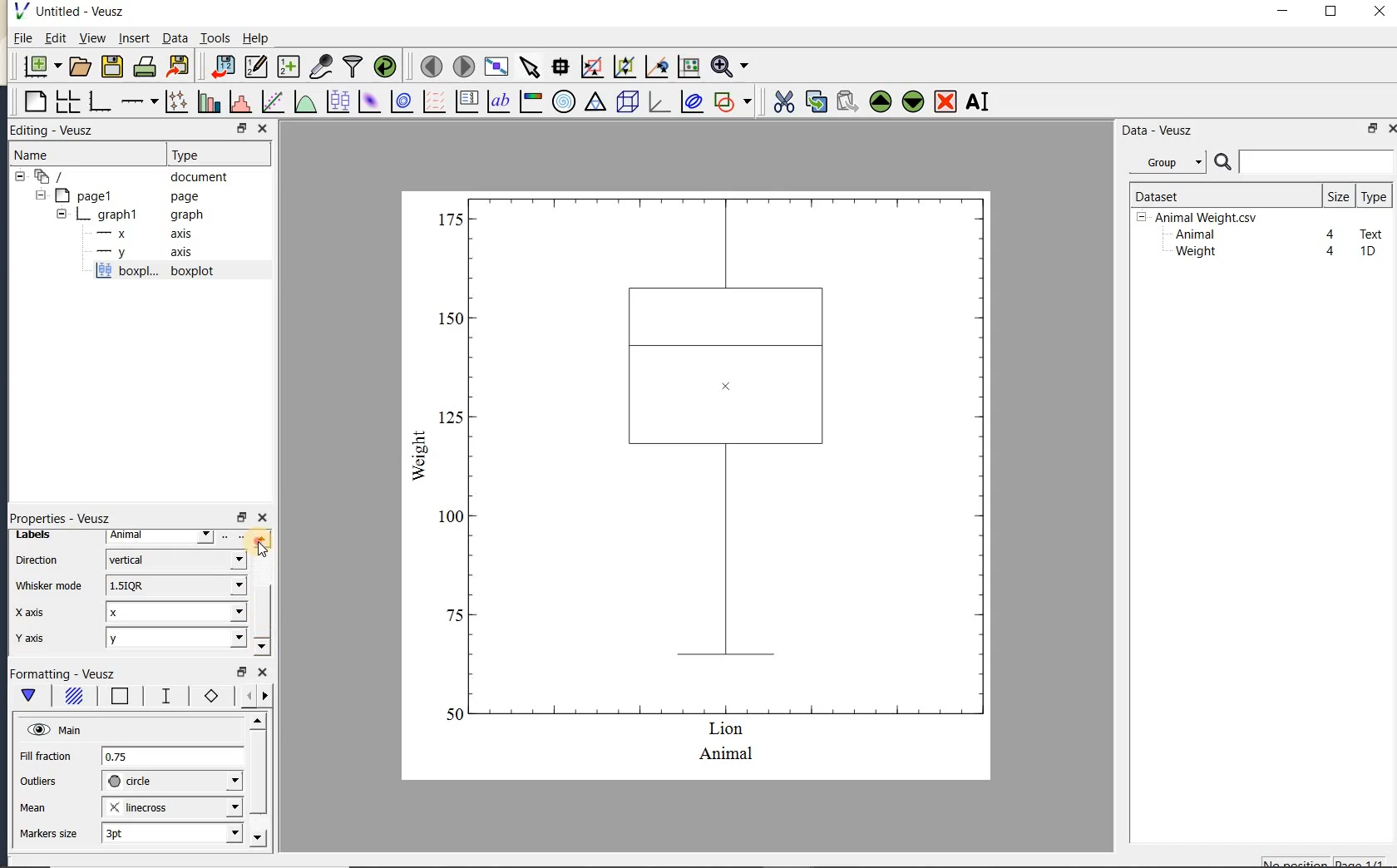 Image resolution: width=1397 pixels, height=868 pixels. I want to click on read data points on the graph, so click(560, 67).